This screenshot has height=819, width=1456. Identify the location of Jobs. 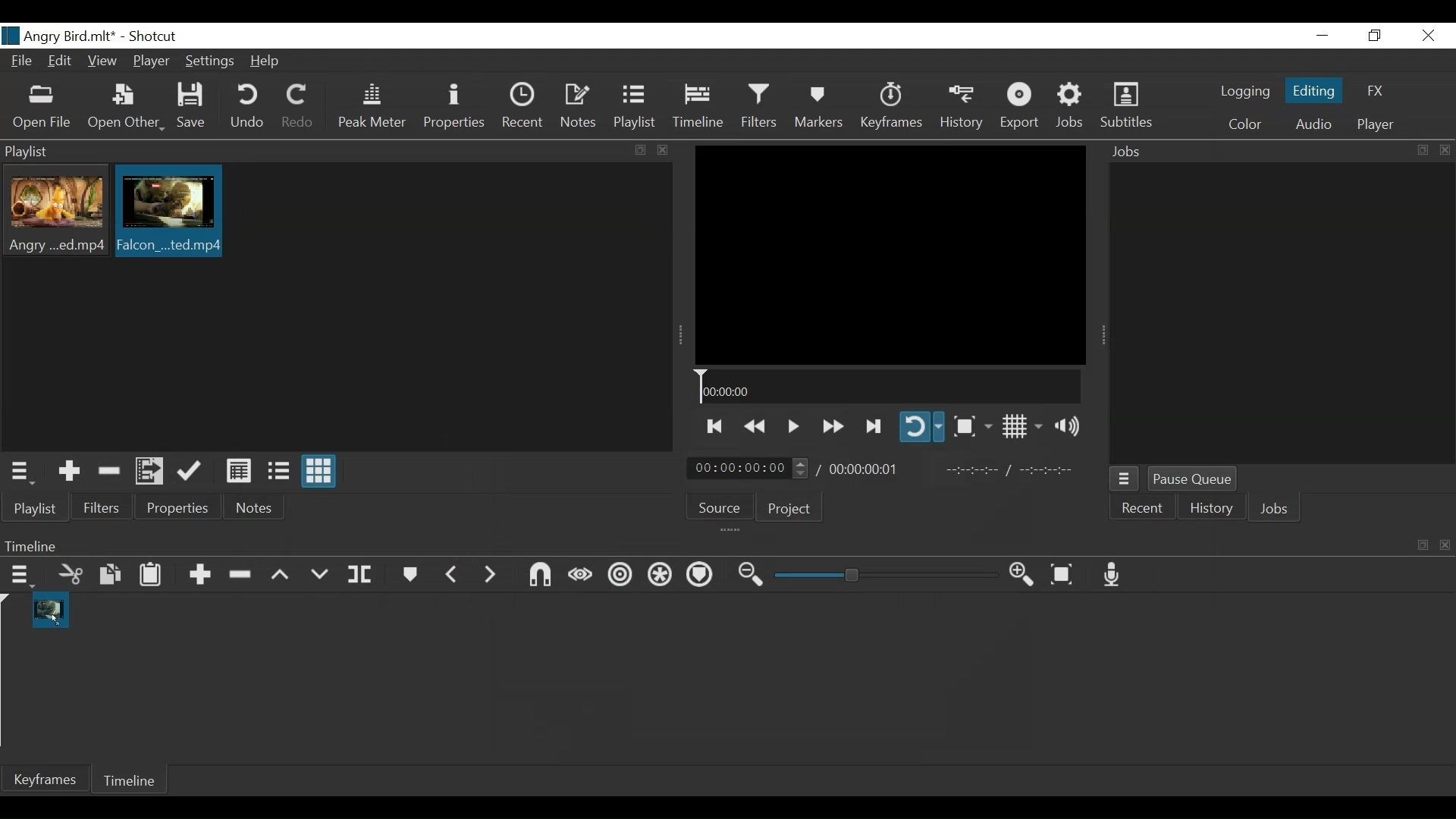
(1275, 510).